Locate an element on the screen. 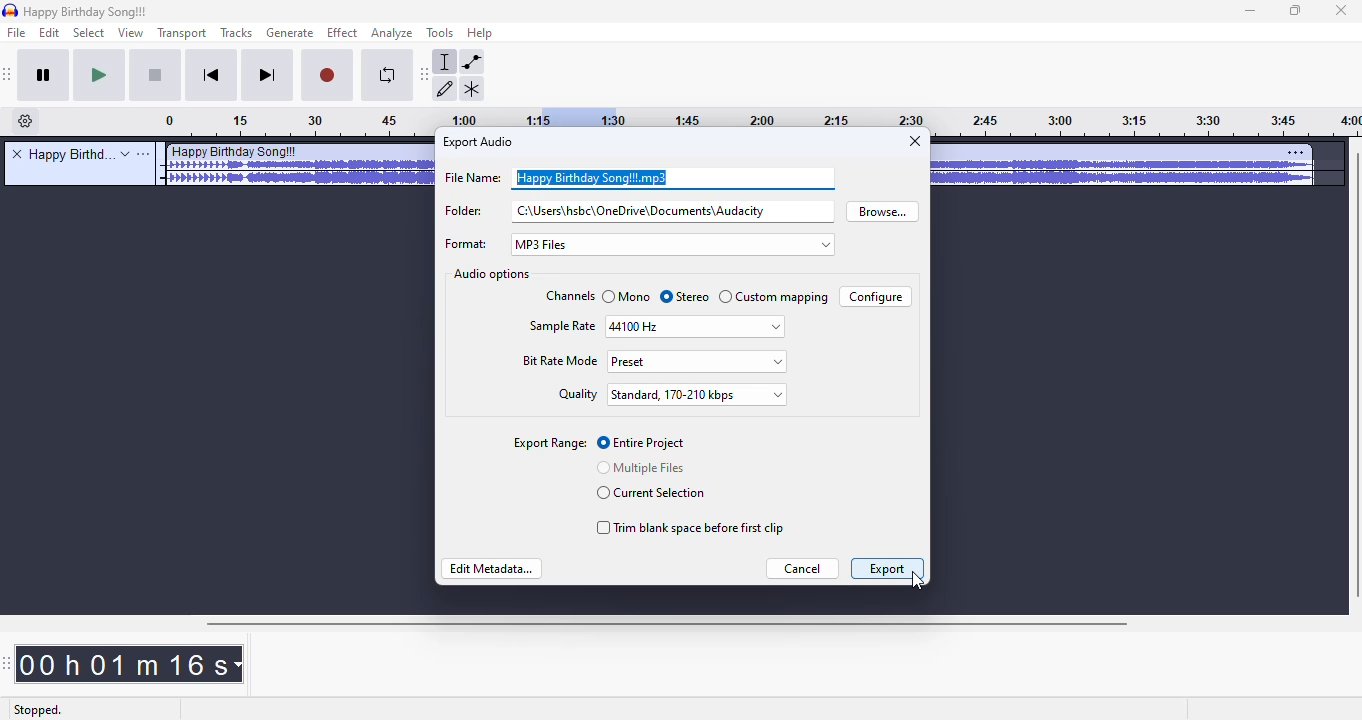  title is located at coordinates (69, 154).